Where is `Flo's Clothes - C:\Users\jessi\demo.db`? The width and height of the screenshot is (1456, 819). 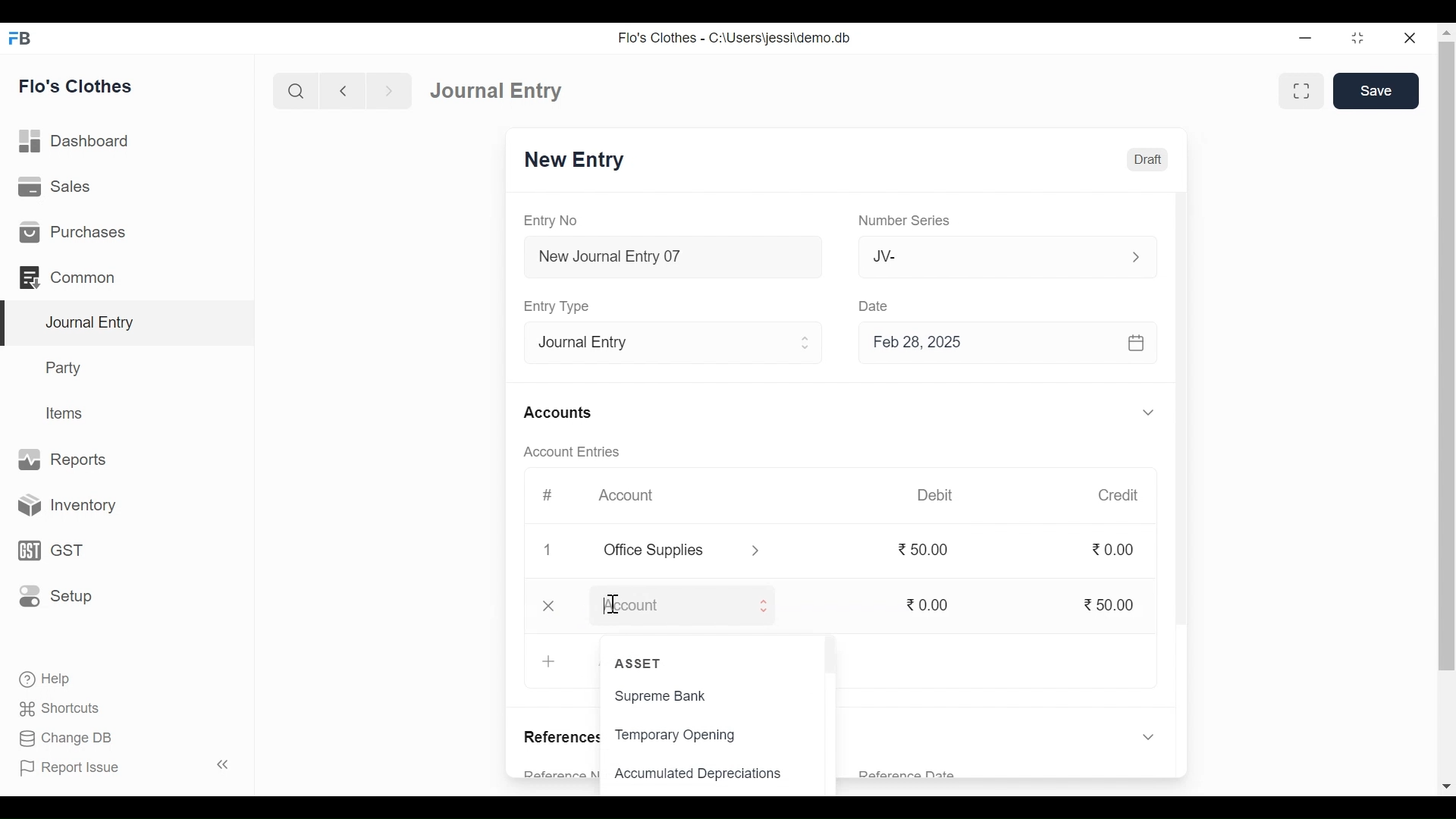
Flo's Clothes - C:\Users\jessi\demo.db is located at coordinates (730, 39).